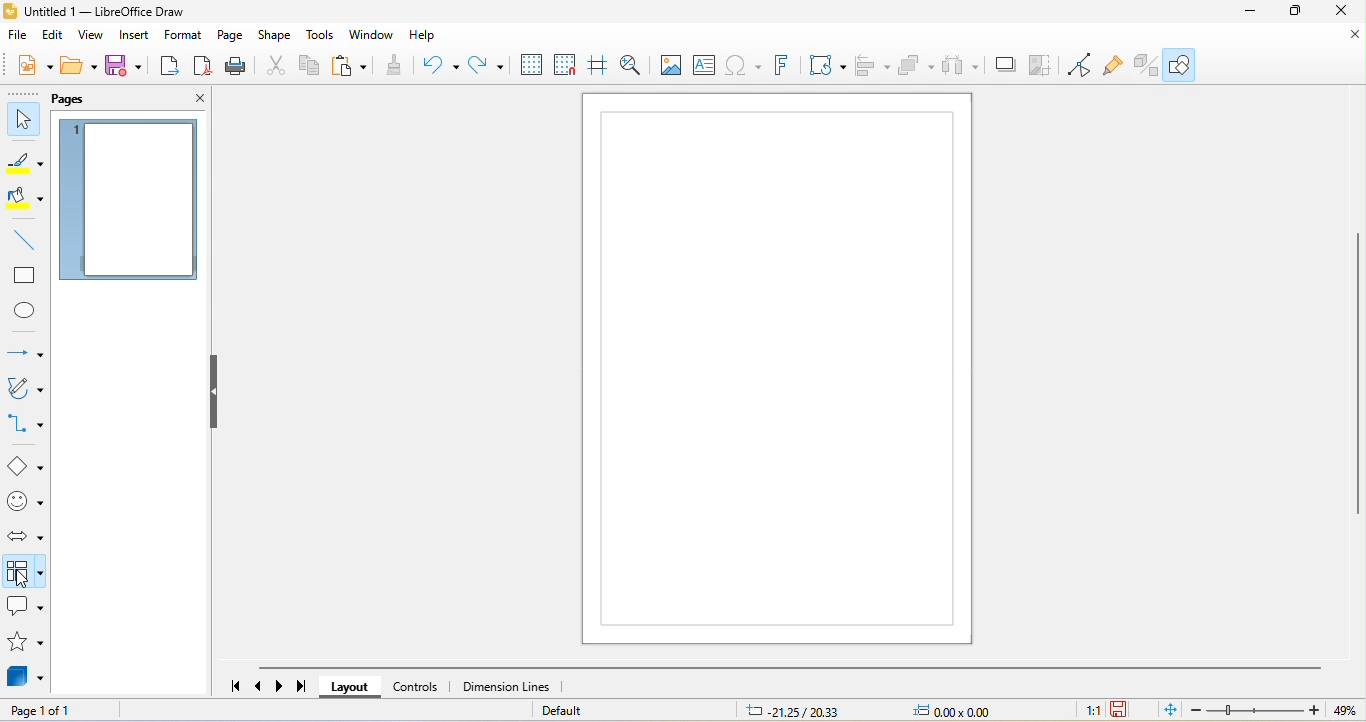  What do you see at coordinates (27, 275) in the screenshot?
I see `rectangle` at bounding box center [27, 275].